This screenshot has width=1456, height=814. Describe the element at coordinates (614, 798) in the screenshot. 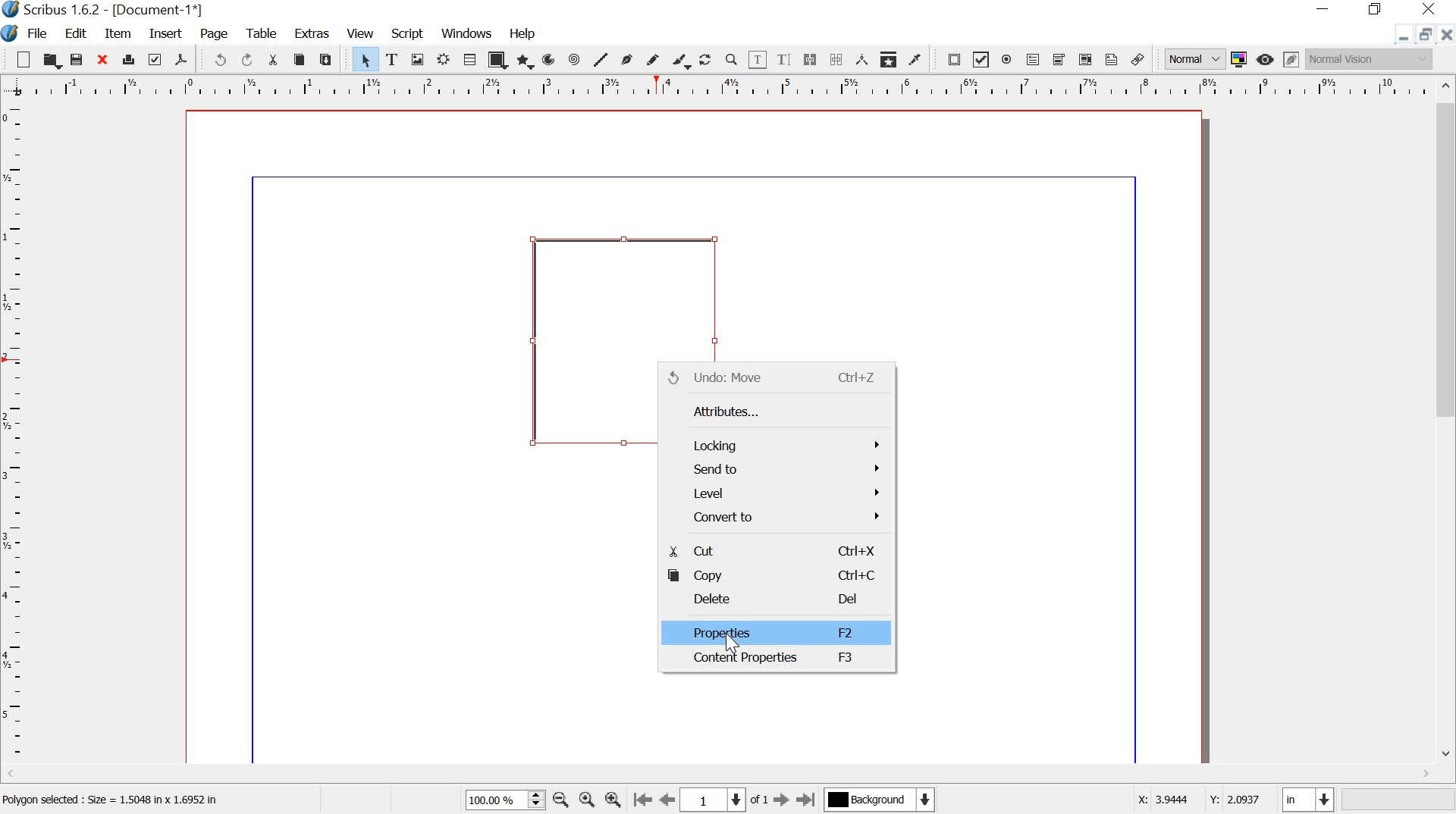

I see `zoom in` at that location.